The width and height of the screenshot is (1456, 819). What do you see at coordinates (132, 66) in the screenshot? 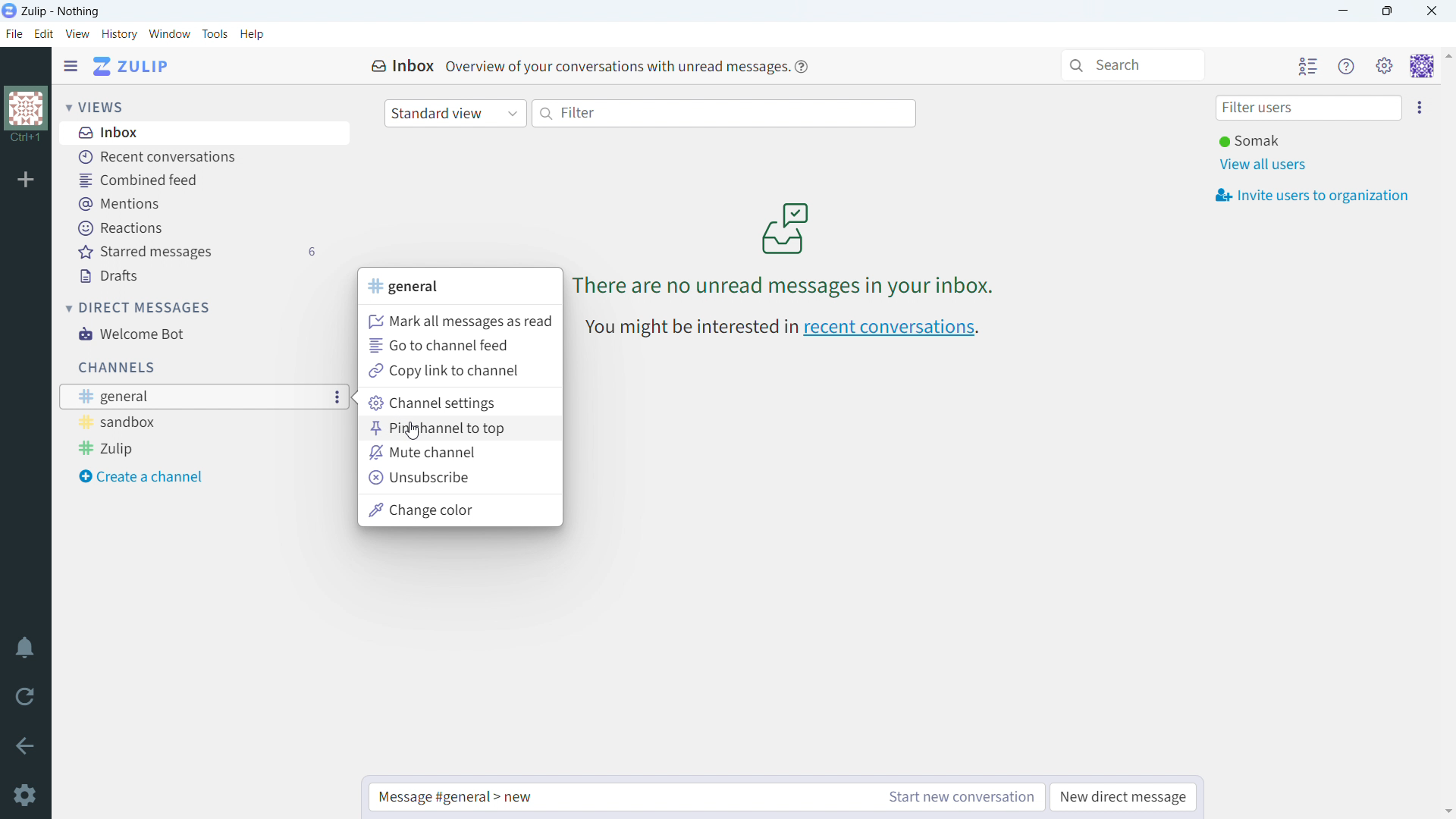
I see `go to home view` at bounding box center [132, 66].